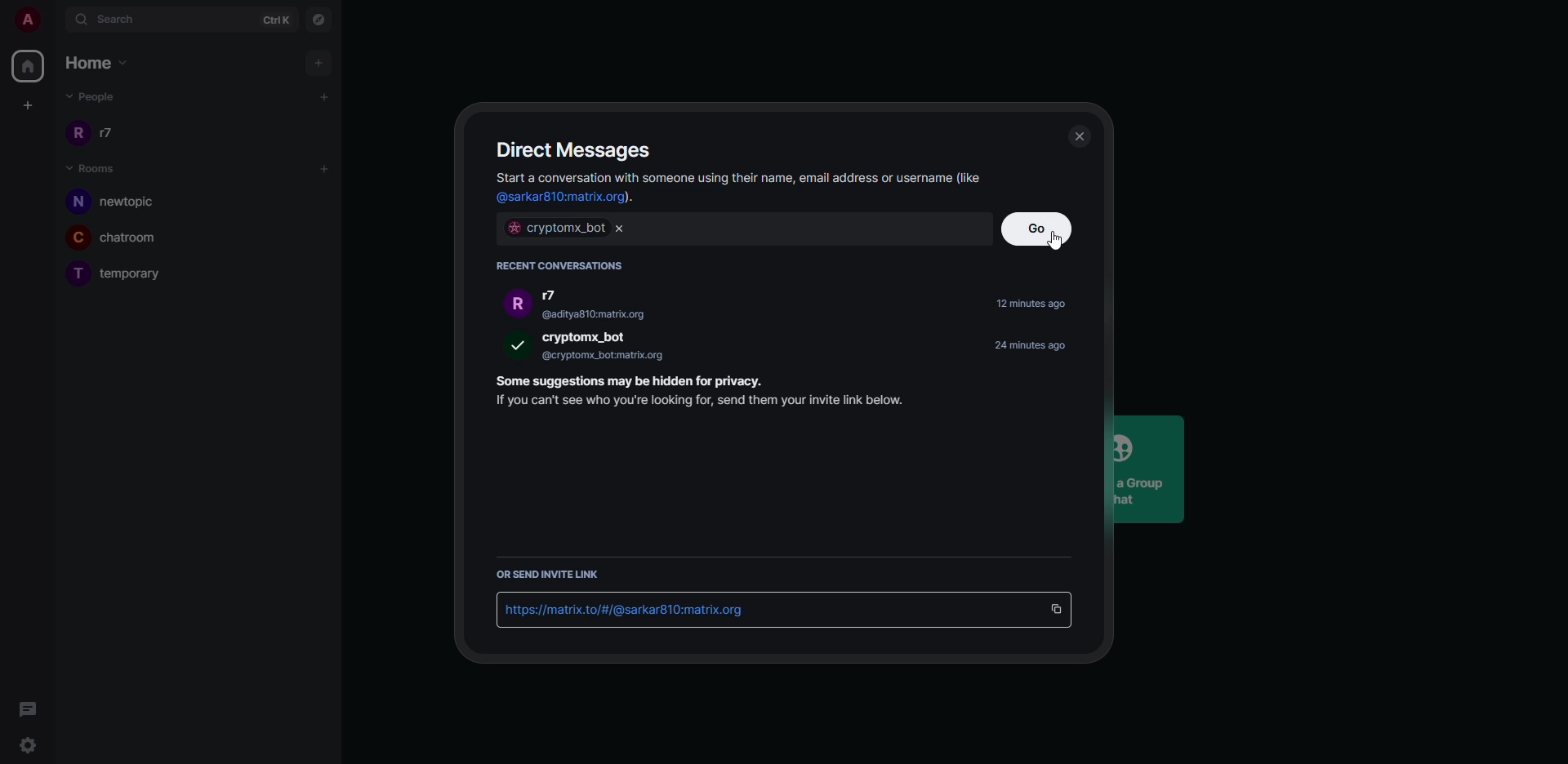  What do you see at coordinates (595, 336) in the screenshot?
I see `bot` at bounding box center [595, 336].